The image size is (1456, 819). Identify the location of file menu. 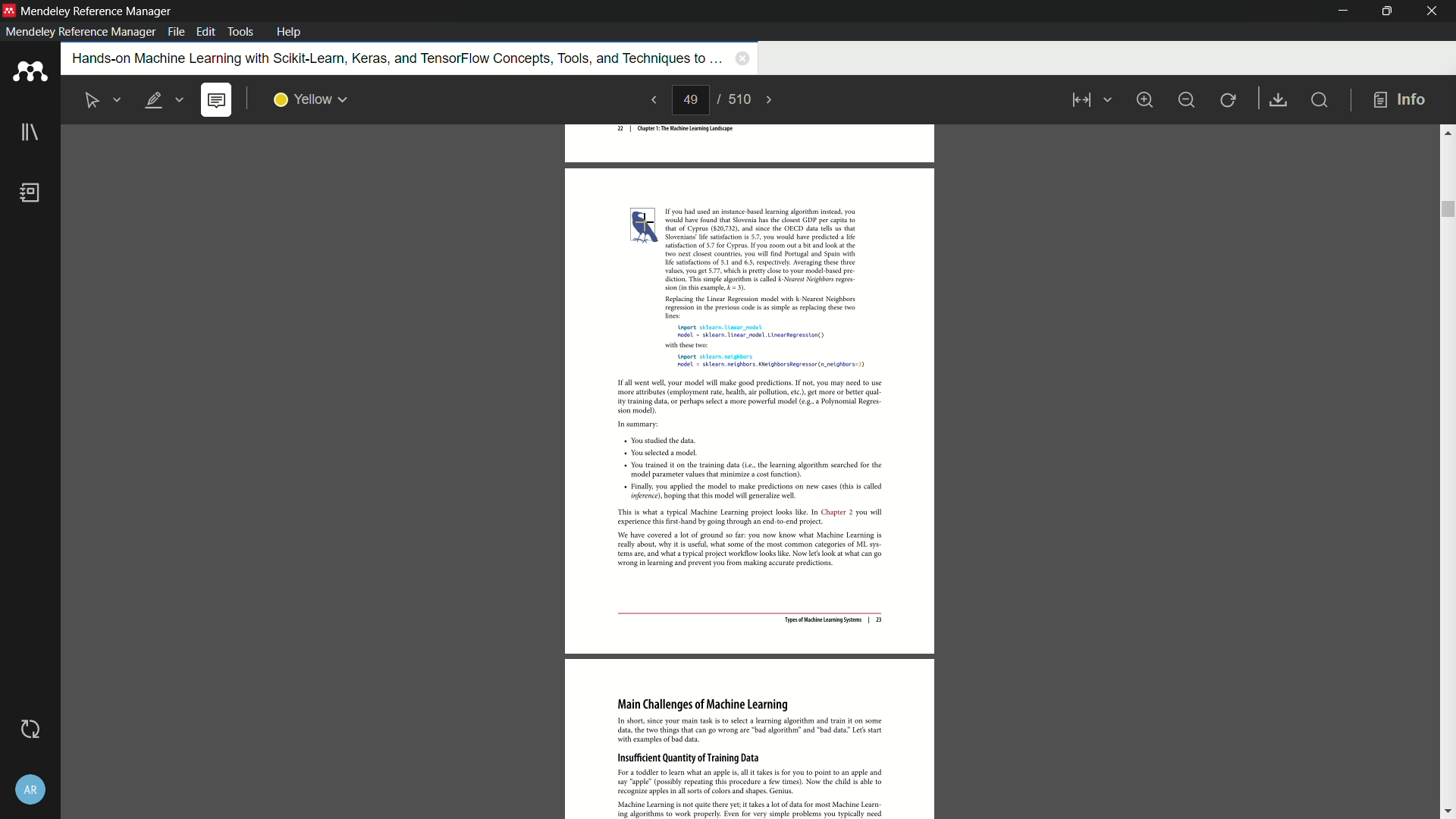
(174, 33).